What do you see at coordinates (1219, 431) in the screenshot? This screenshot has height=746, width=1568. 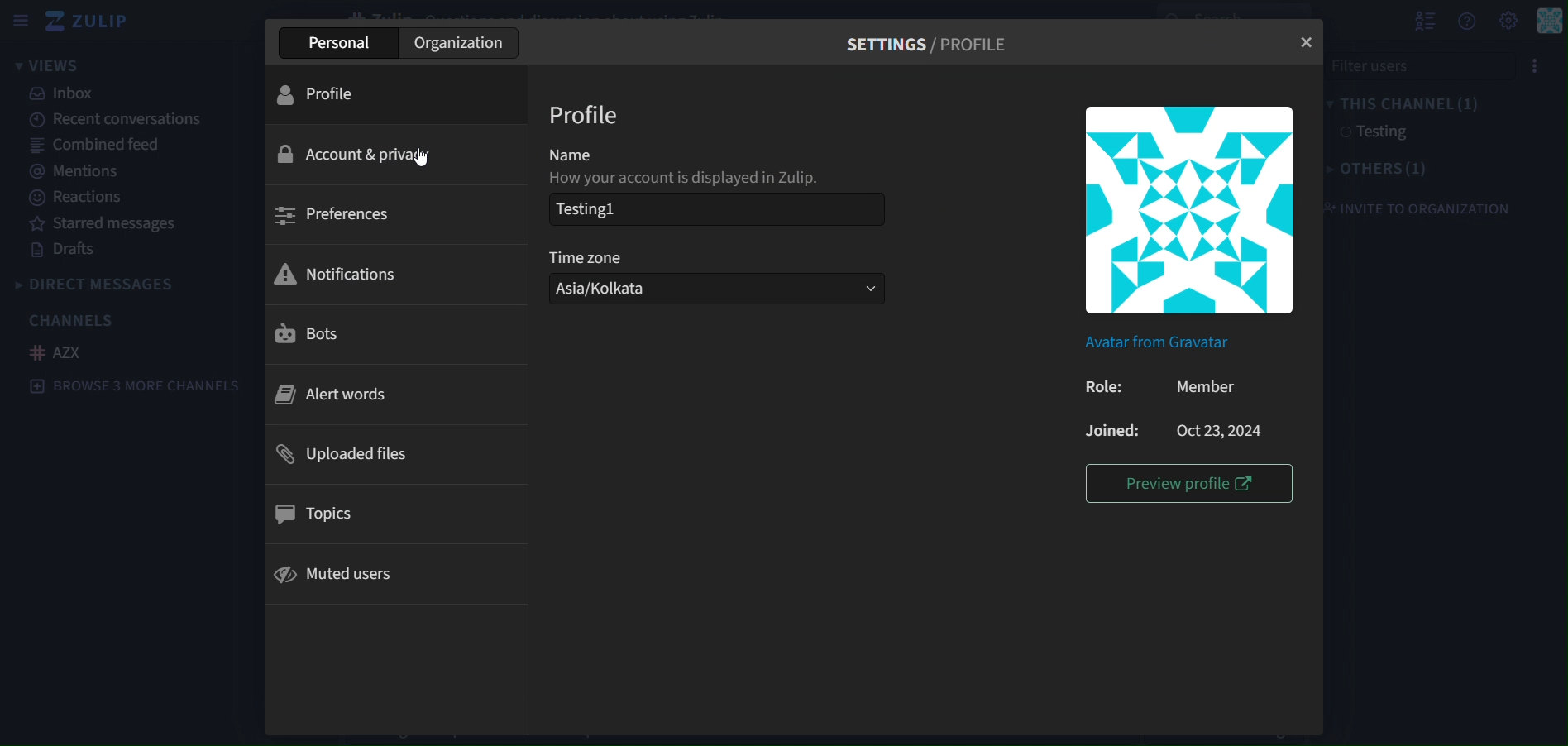 I see `Oct23,2024` at bounding box center [1219, 431].